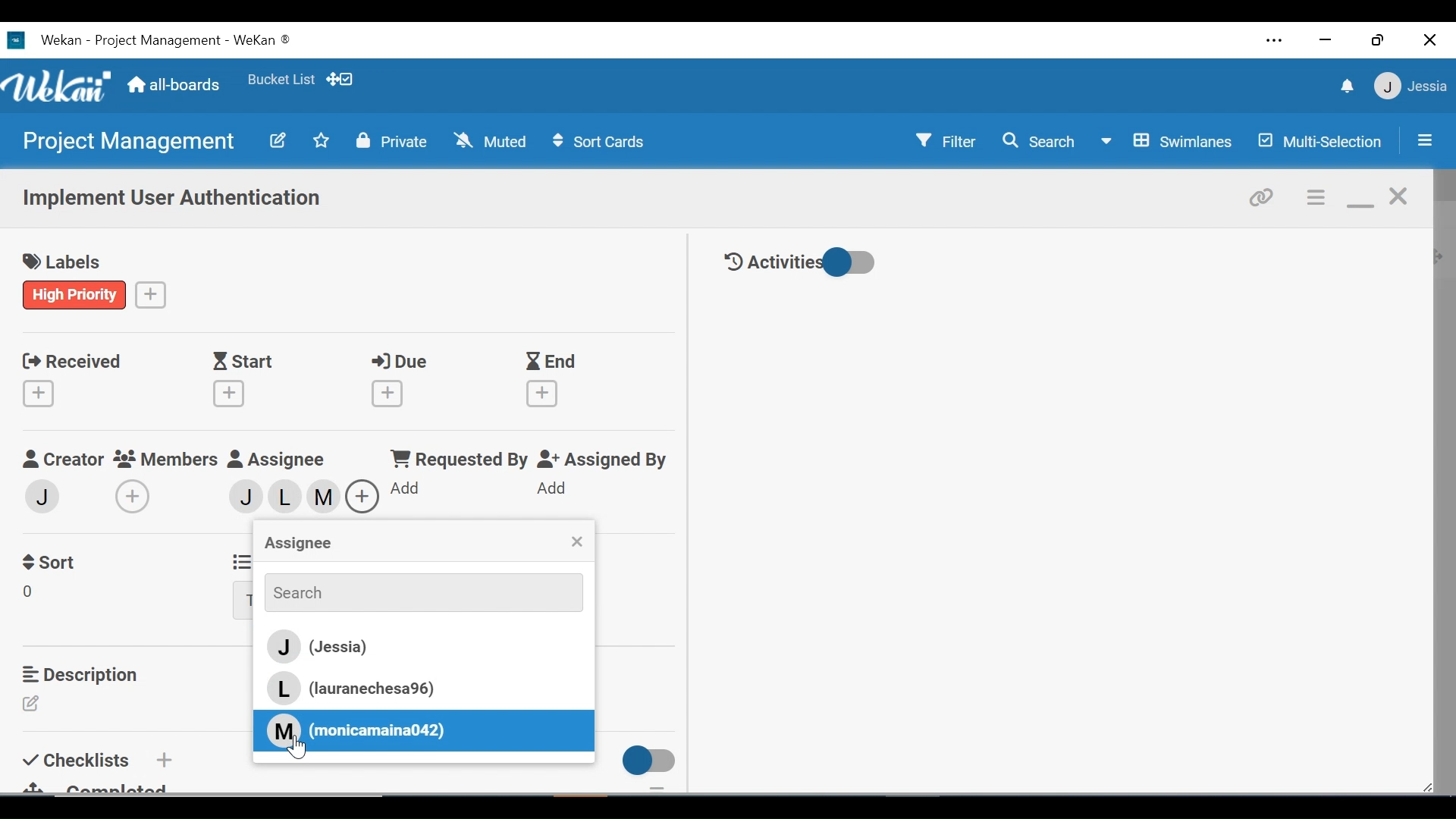 The height and width of the screenshot is (819, 1456). Describe the element at coordinates (1276, 42) in the screenshot. I see `Settings and more` at that location.